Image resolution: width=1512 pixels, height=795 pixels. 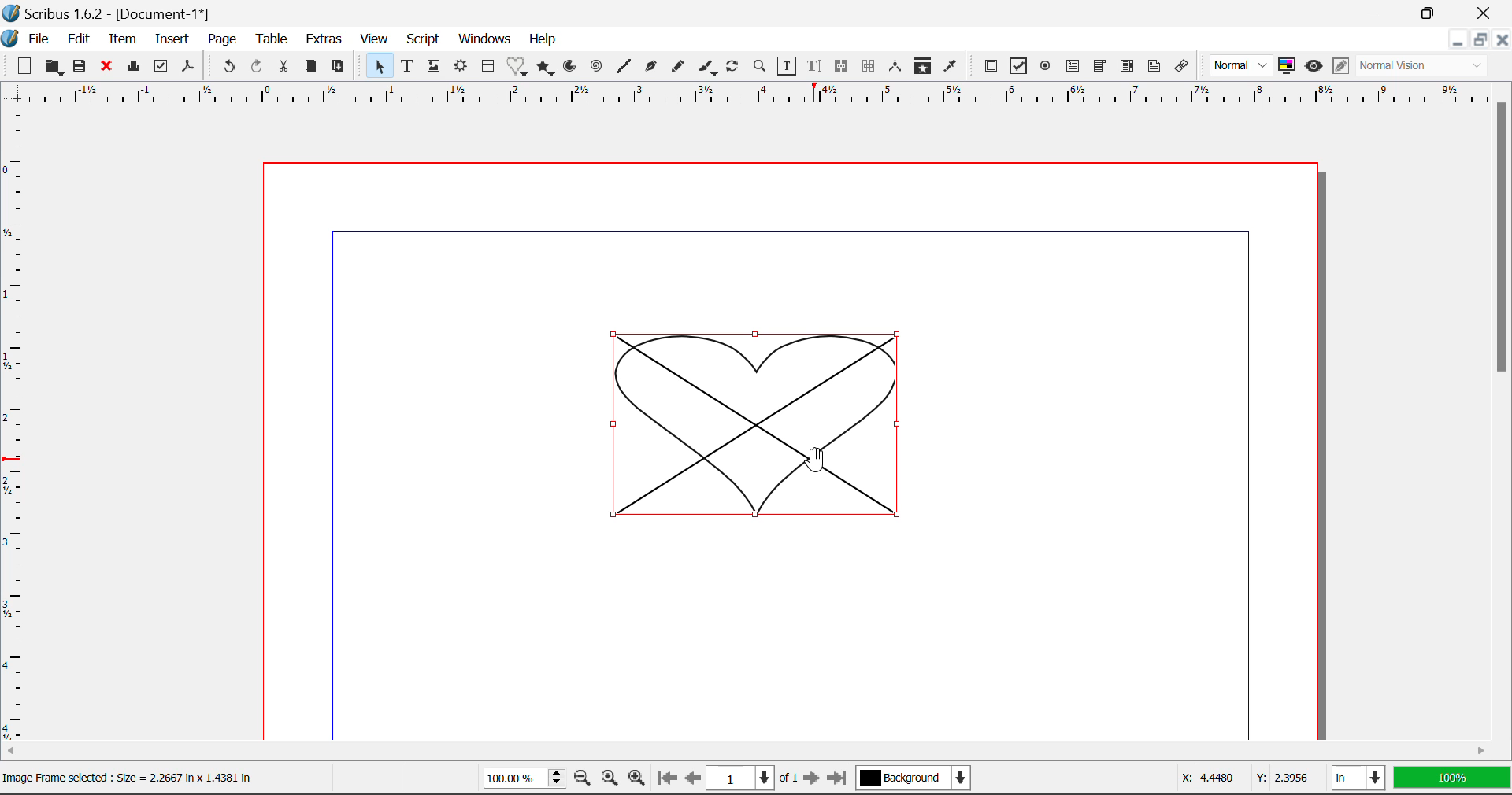 I want to click on Calligraphic Curve, so click(x=708, y=69).